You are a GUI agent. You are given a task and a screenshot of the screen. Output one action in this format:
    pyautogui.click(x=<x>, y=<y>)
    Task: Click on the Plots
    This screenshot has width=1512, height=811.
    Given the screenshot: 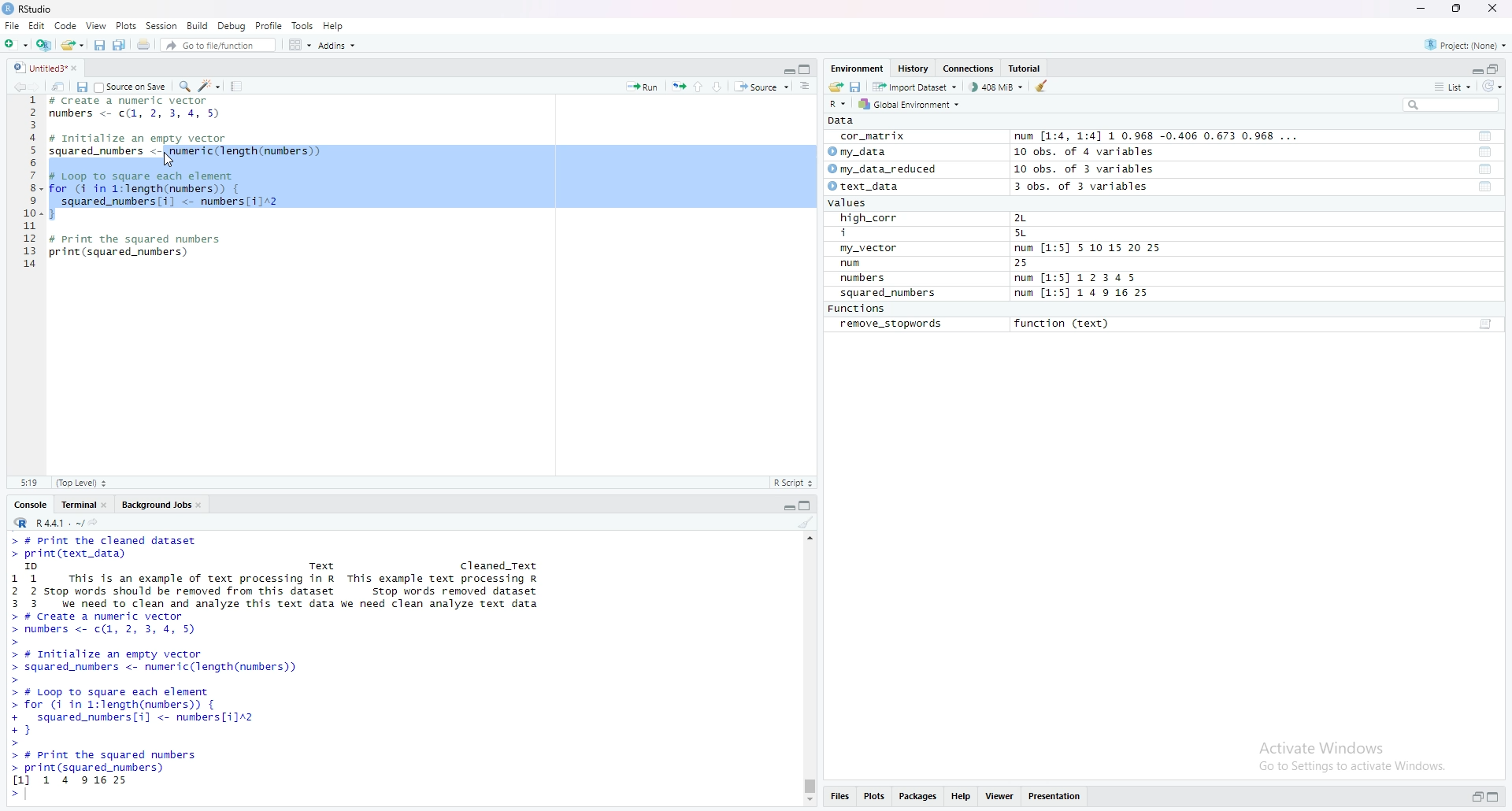 What is the action you would take?
    pyautogui.click(x=126, y=25)
    